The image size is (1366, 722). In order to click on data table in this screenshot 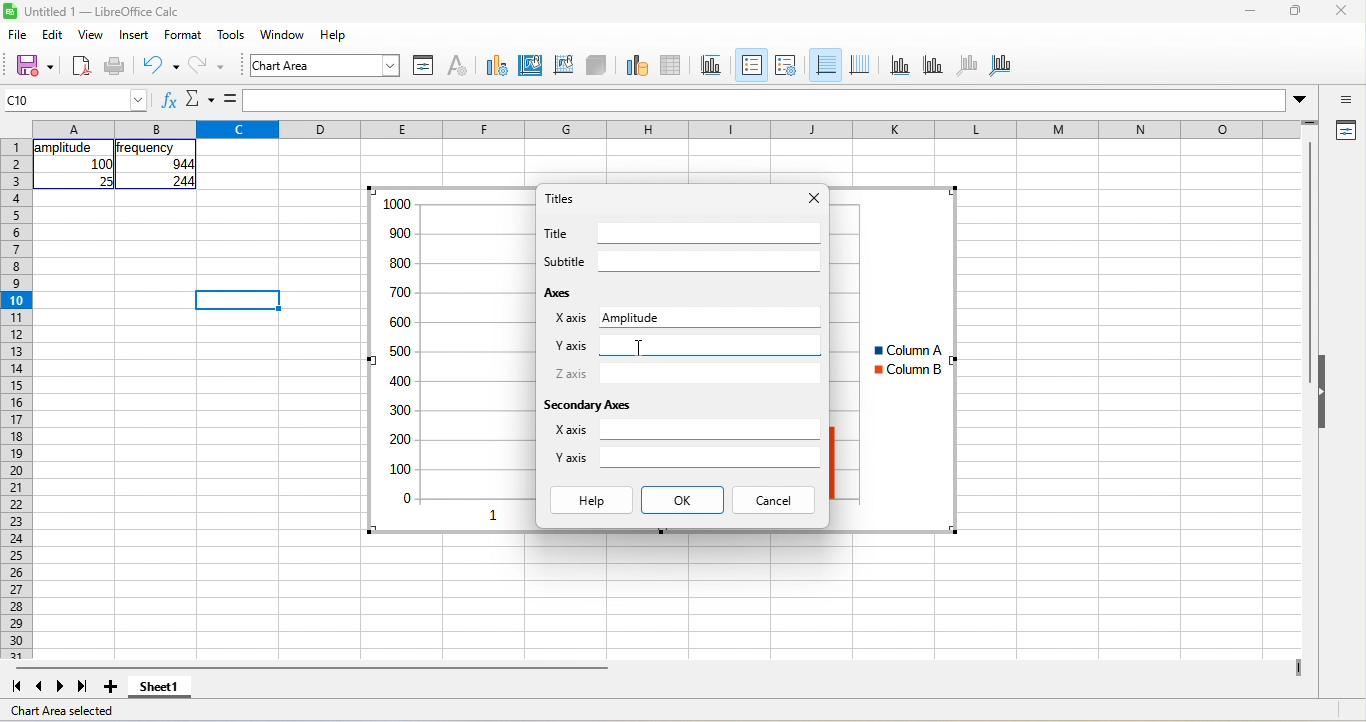, I will do `click(672, 66)`.